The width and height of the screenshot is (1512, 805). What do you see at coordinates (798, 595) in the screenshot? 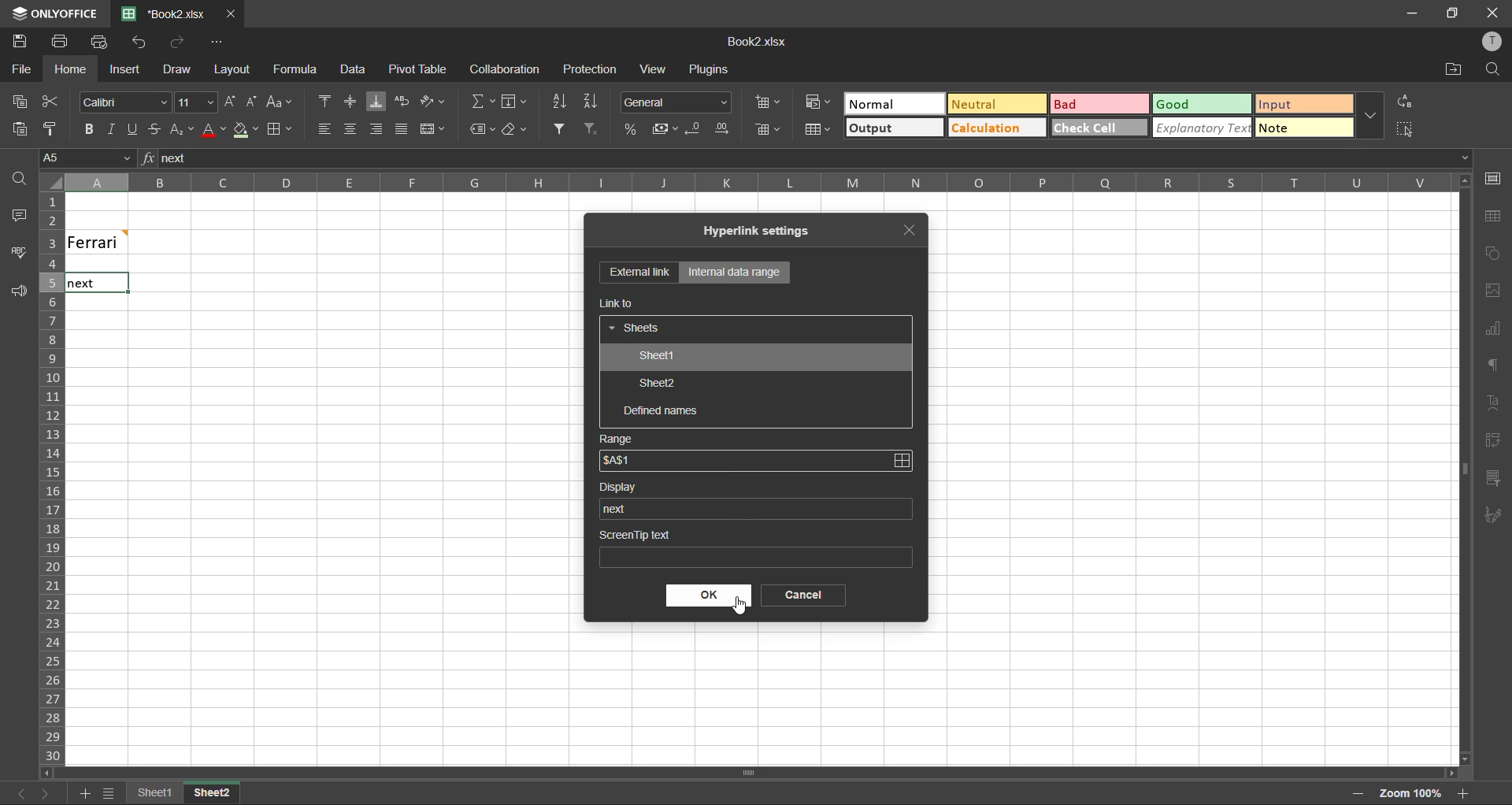
I see `cancel` at bounding box center [798, 595].